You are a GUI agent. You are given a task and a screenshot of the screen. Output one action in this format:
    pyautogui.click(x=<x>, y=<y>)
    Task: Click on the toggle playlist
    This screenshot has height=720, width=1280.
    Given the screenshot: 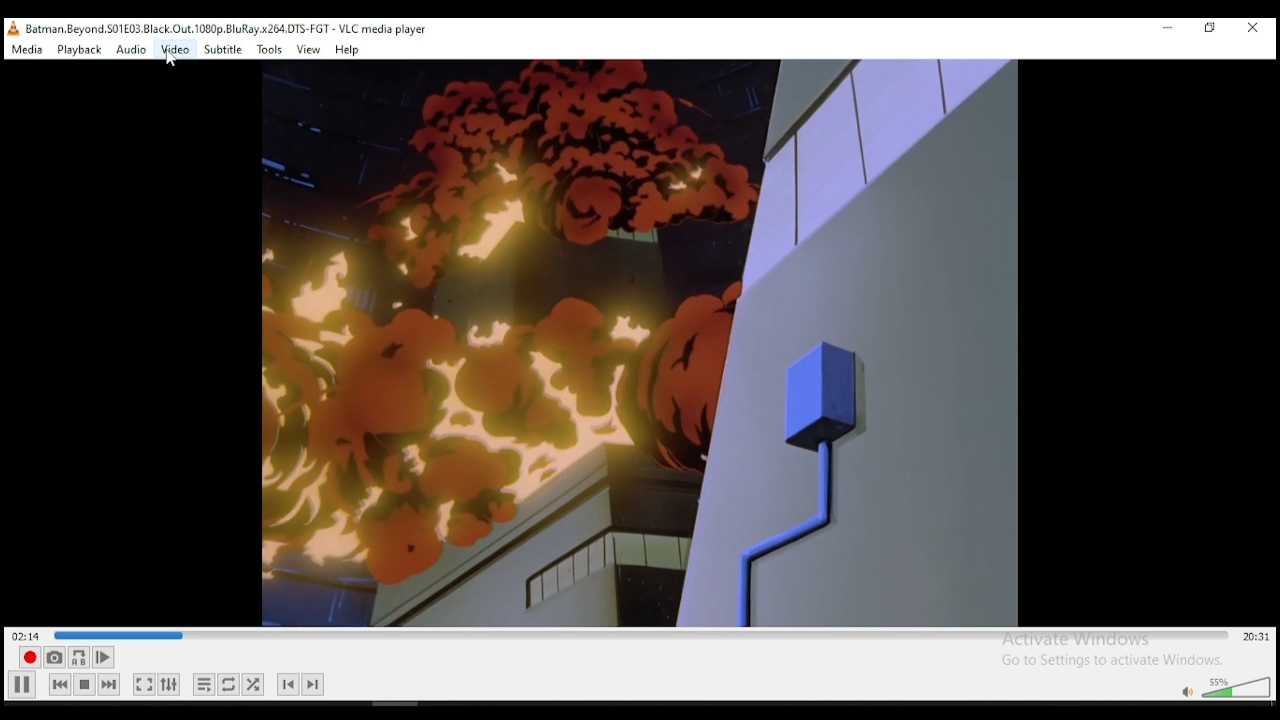 What is the action you would take?
    pyautogui.click(x=205, y=684)
    